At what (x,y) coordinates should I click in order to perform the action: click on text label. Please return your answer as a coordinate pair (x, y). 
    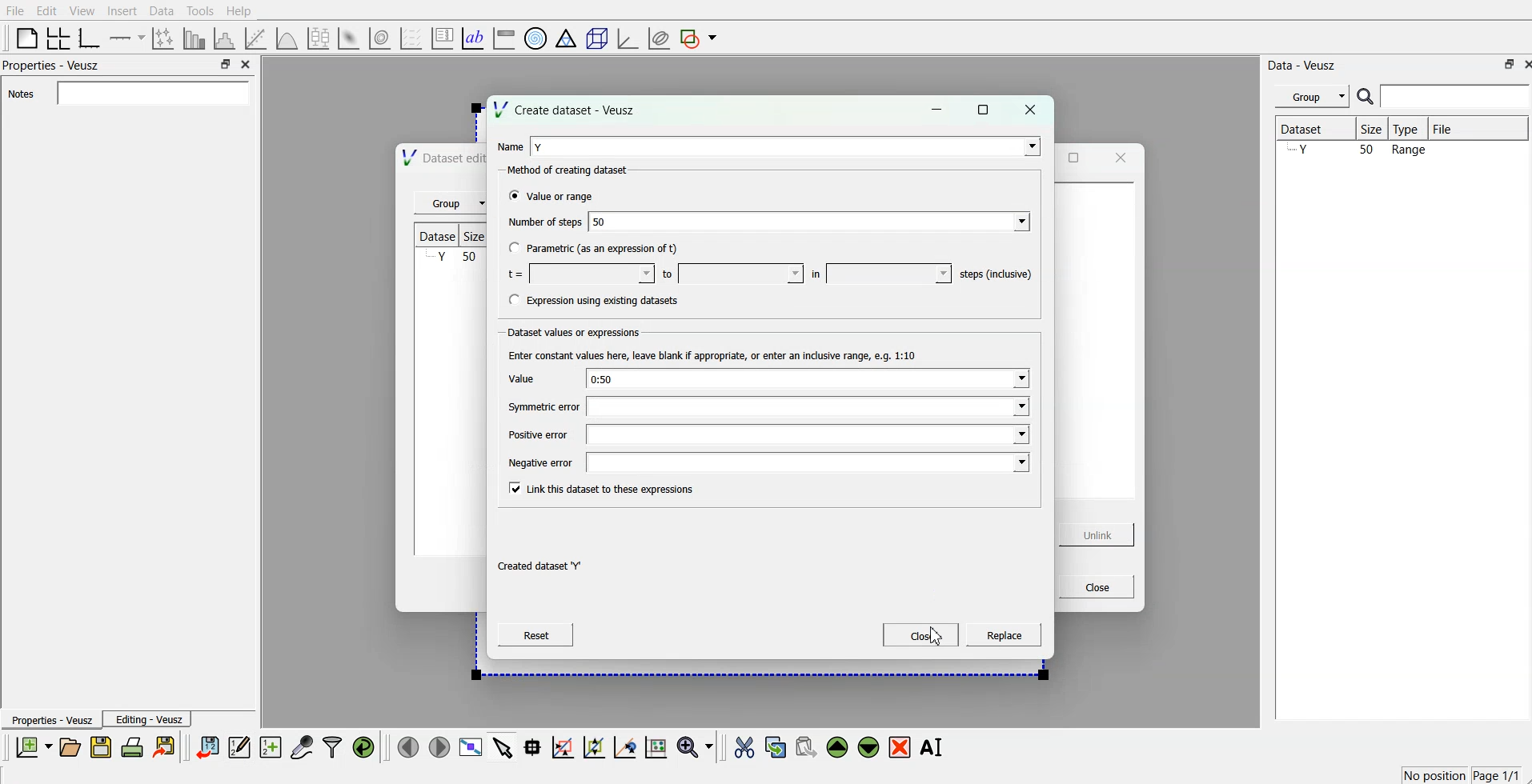
    Looking at the image, I should click on (473, 37).